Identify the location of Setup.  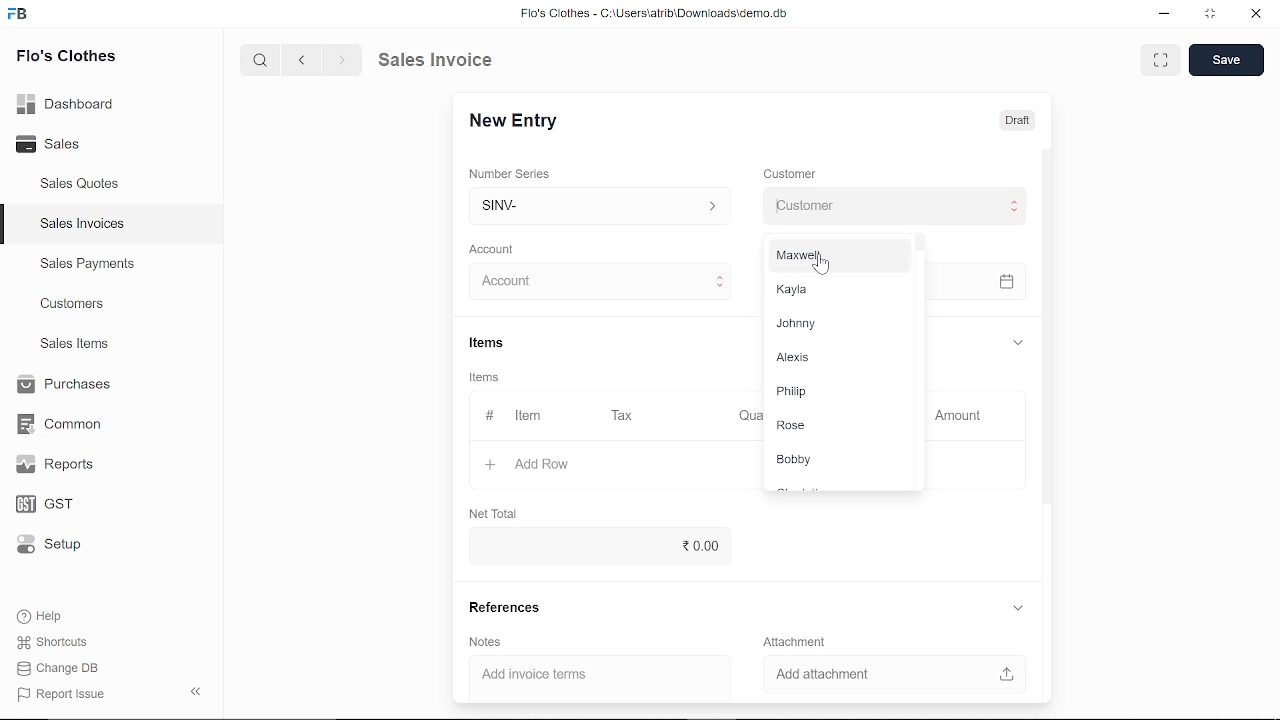
(54, 544).